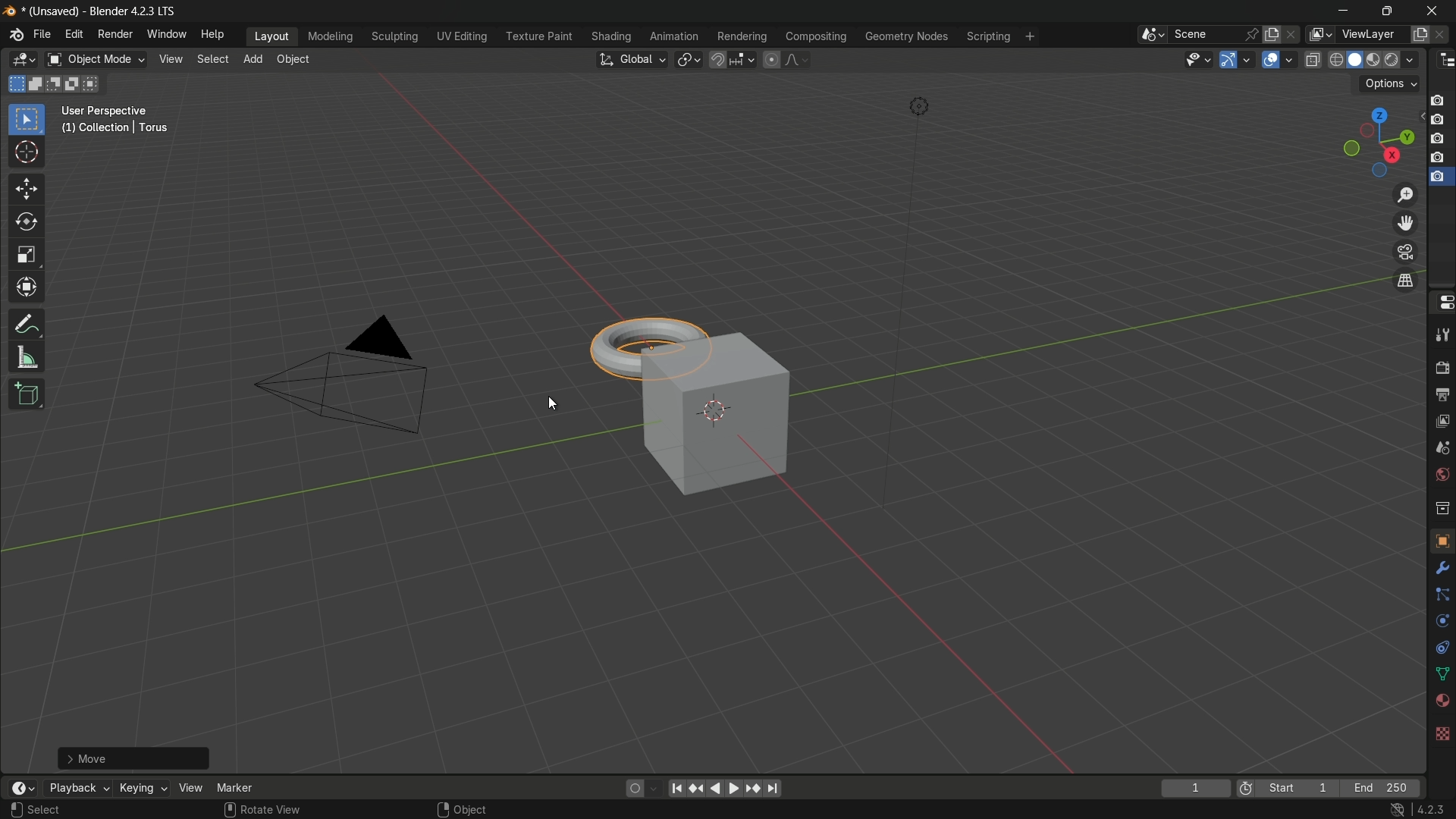 This screenshot has width=1456, height=819. What do you see at coordinates (115, 34) in the screenshot?
I see `render menu` at bounding box center [115, 34].